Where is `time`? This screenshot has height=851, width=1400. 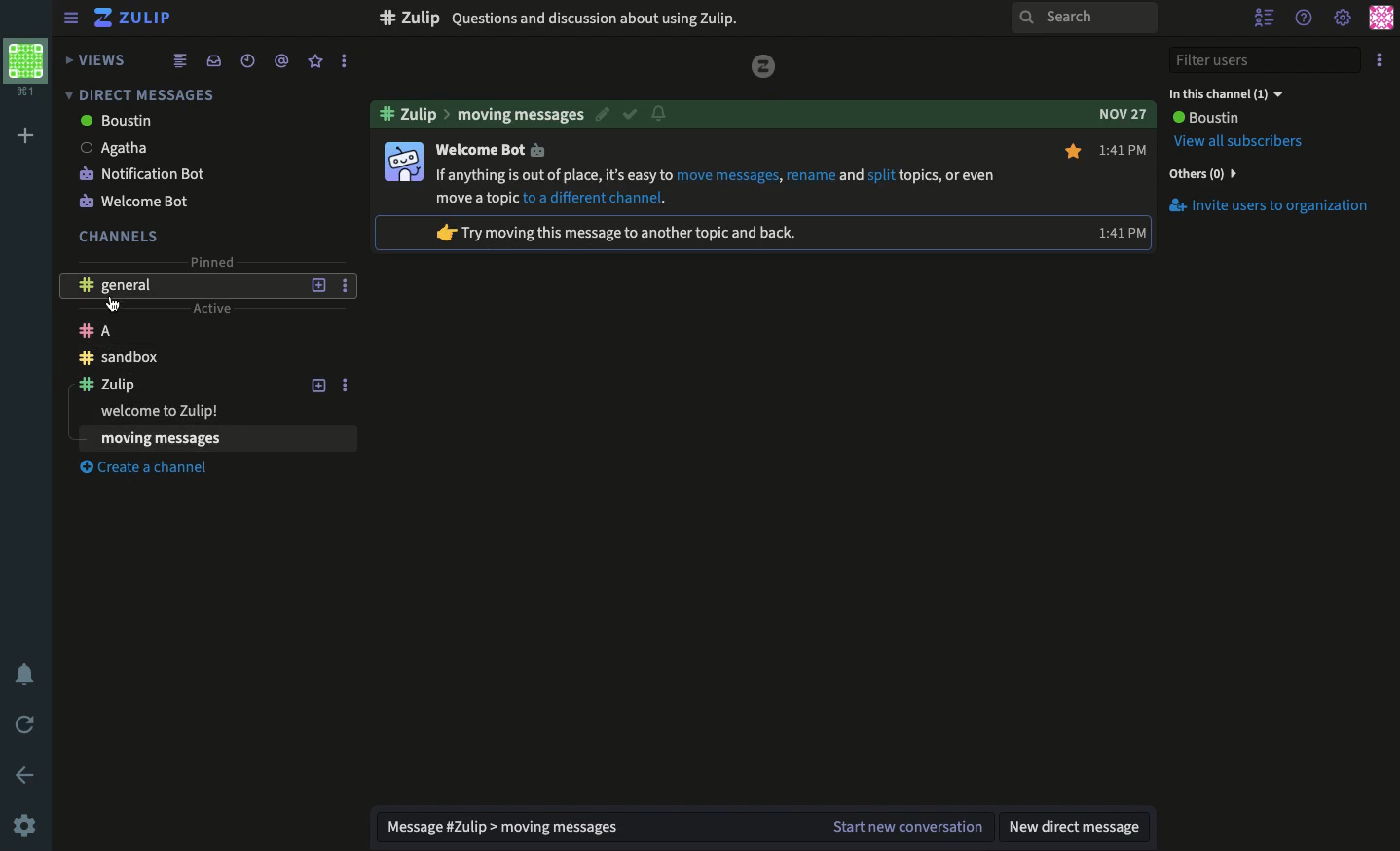
time is located at coordinates (1117, 234).